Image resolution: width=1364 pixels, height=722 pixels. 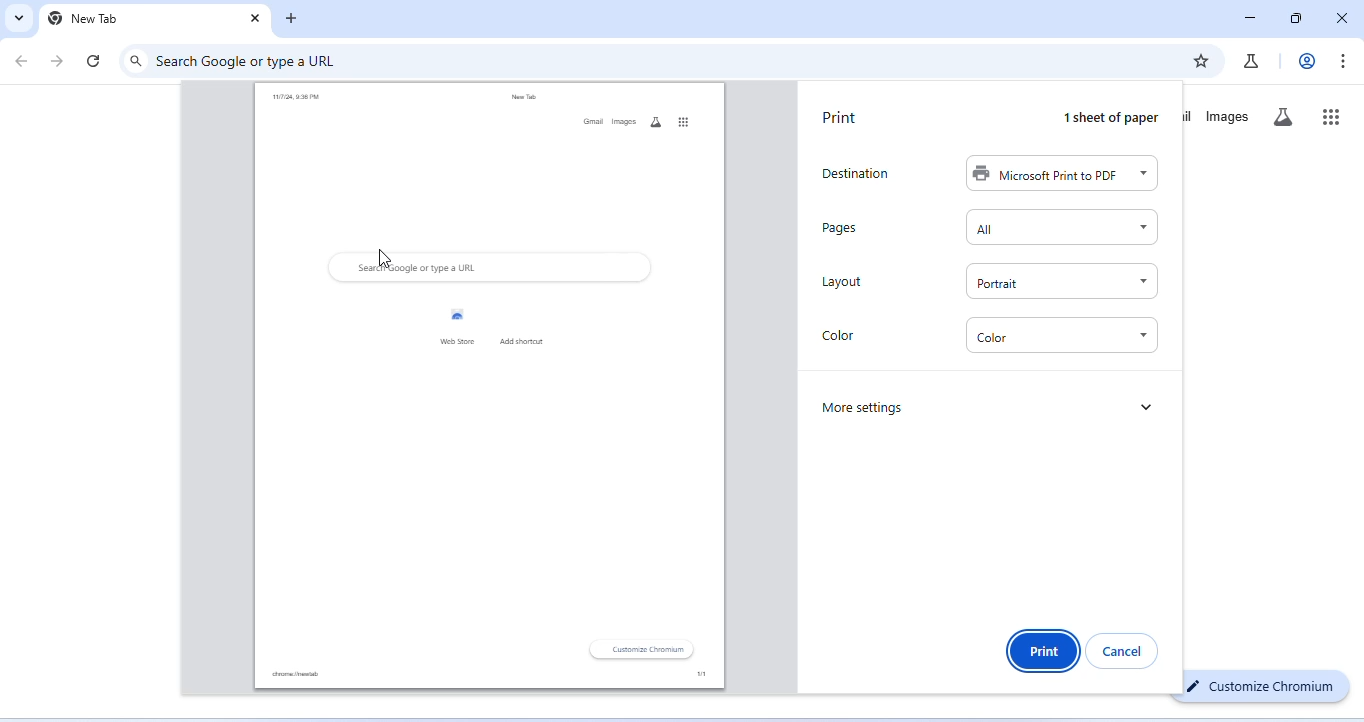 What do you see at coordinates (841, 228) in the screenshot?
I see `pages` at bounding box center [841, 228].